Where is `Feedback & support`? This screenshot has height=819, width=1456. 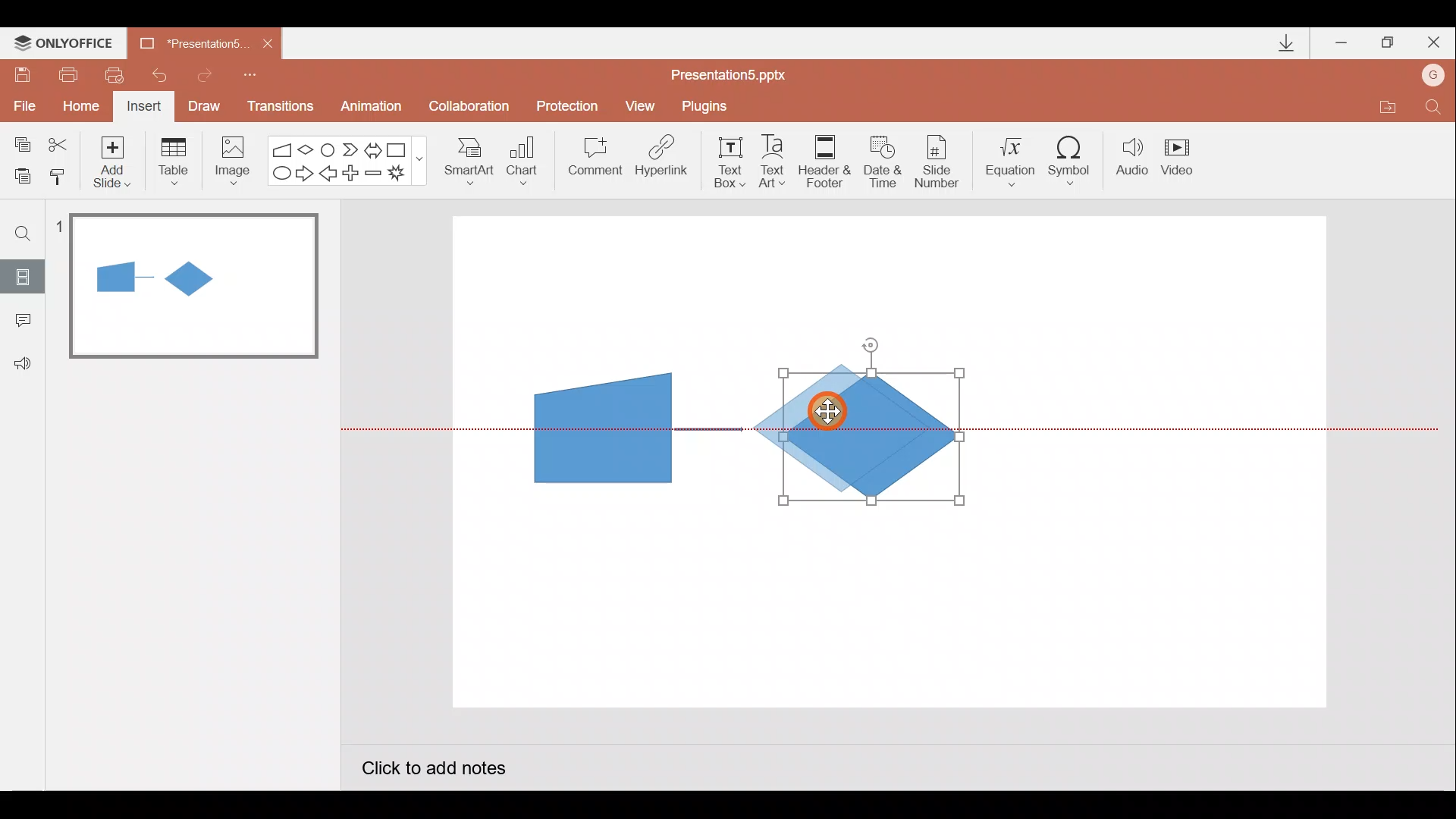 Feedback & support is located at coordinates (24, 362).